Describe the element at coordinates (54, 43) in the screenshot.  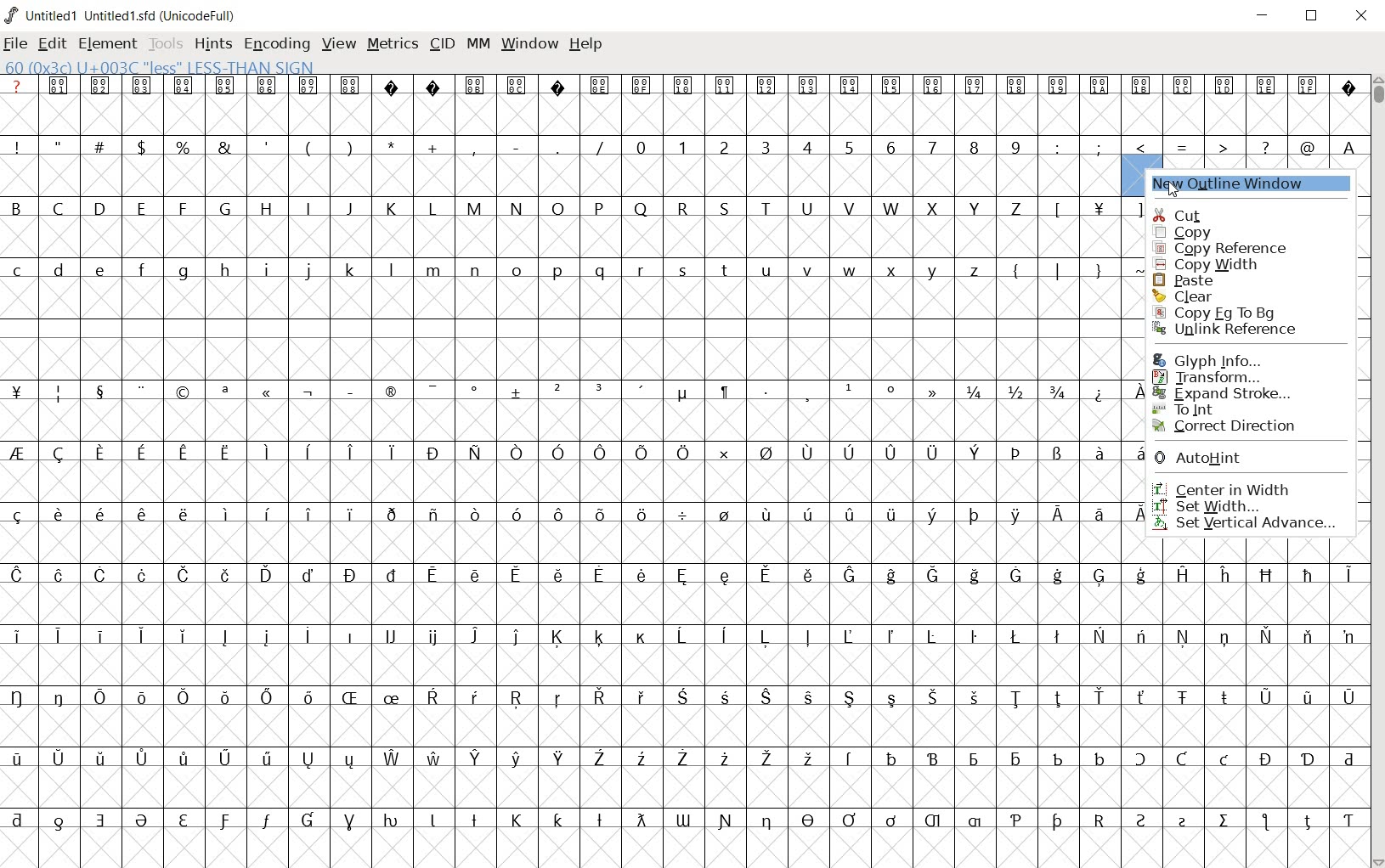
I see `edit` at that location.